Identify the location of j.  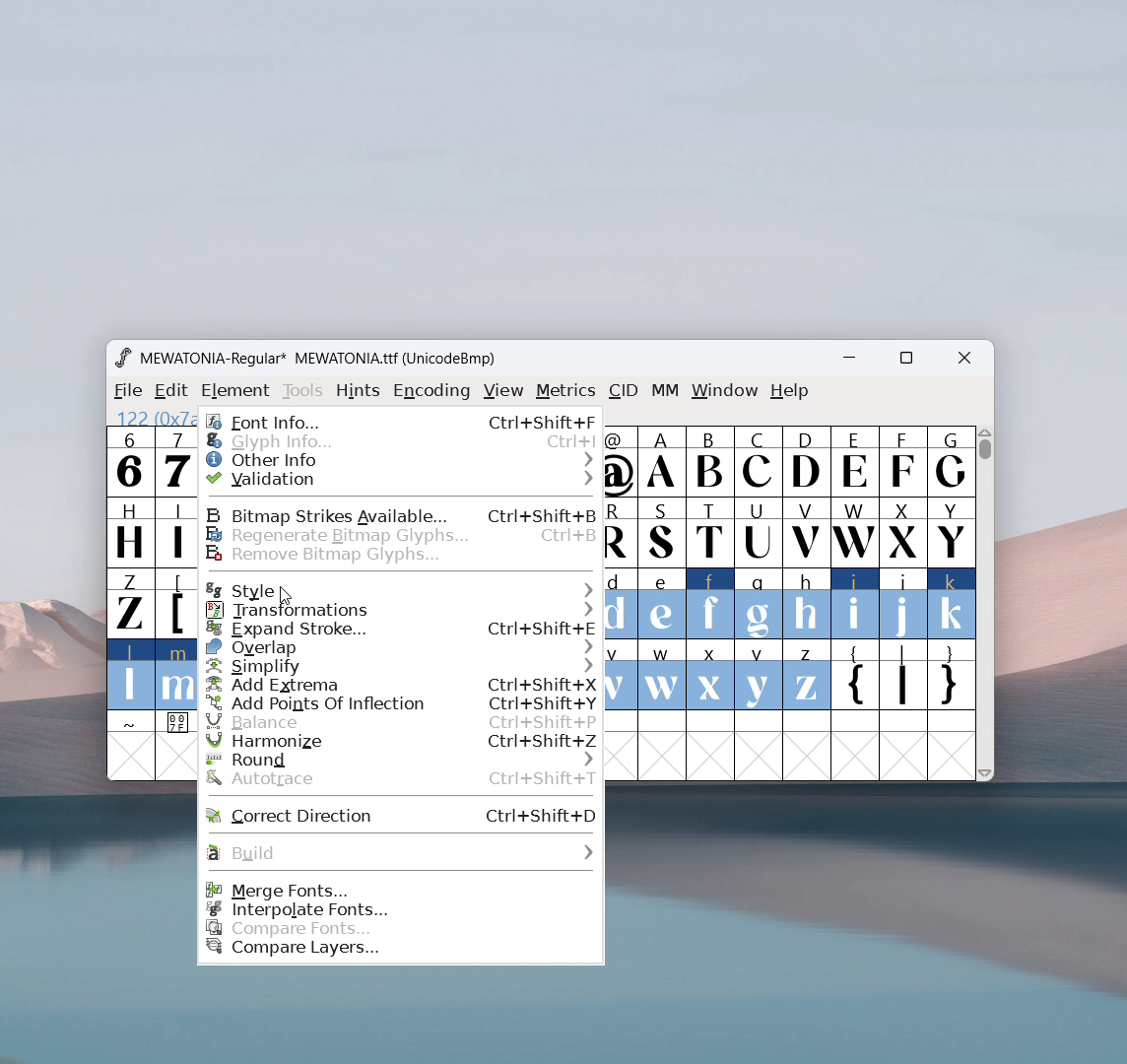
(904, 604).